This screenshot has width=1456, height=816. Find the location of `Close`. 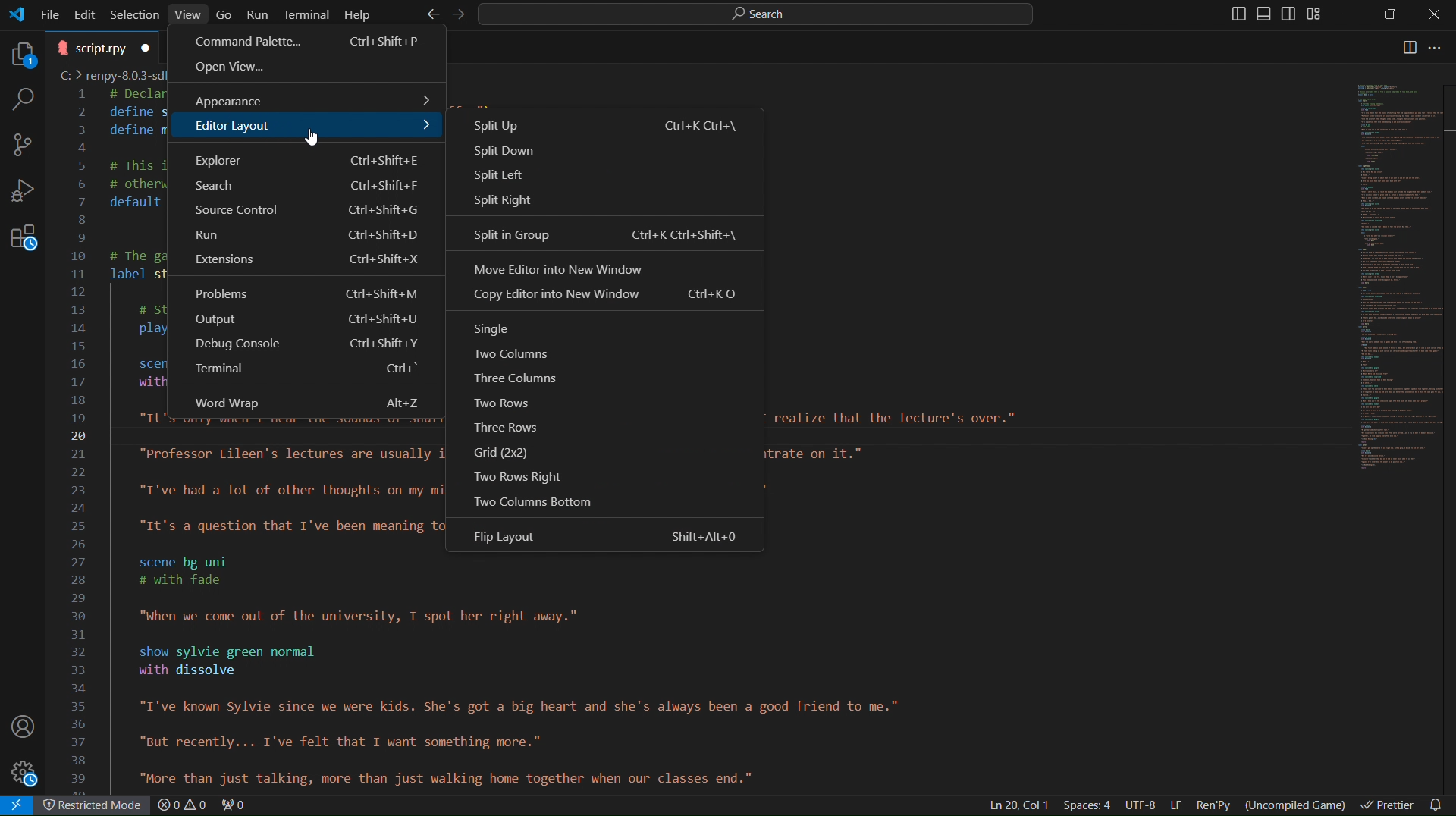

Close is located at coordinates (1433, 14).